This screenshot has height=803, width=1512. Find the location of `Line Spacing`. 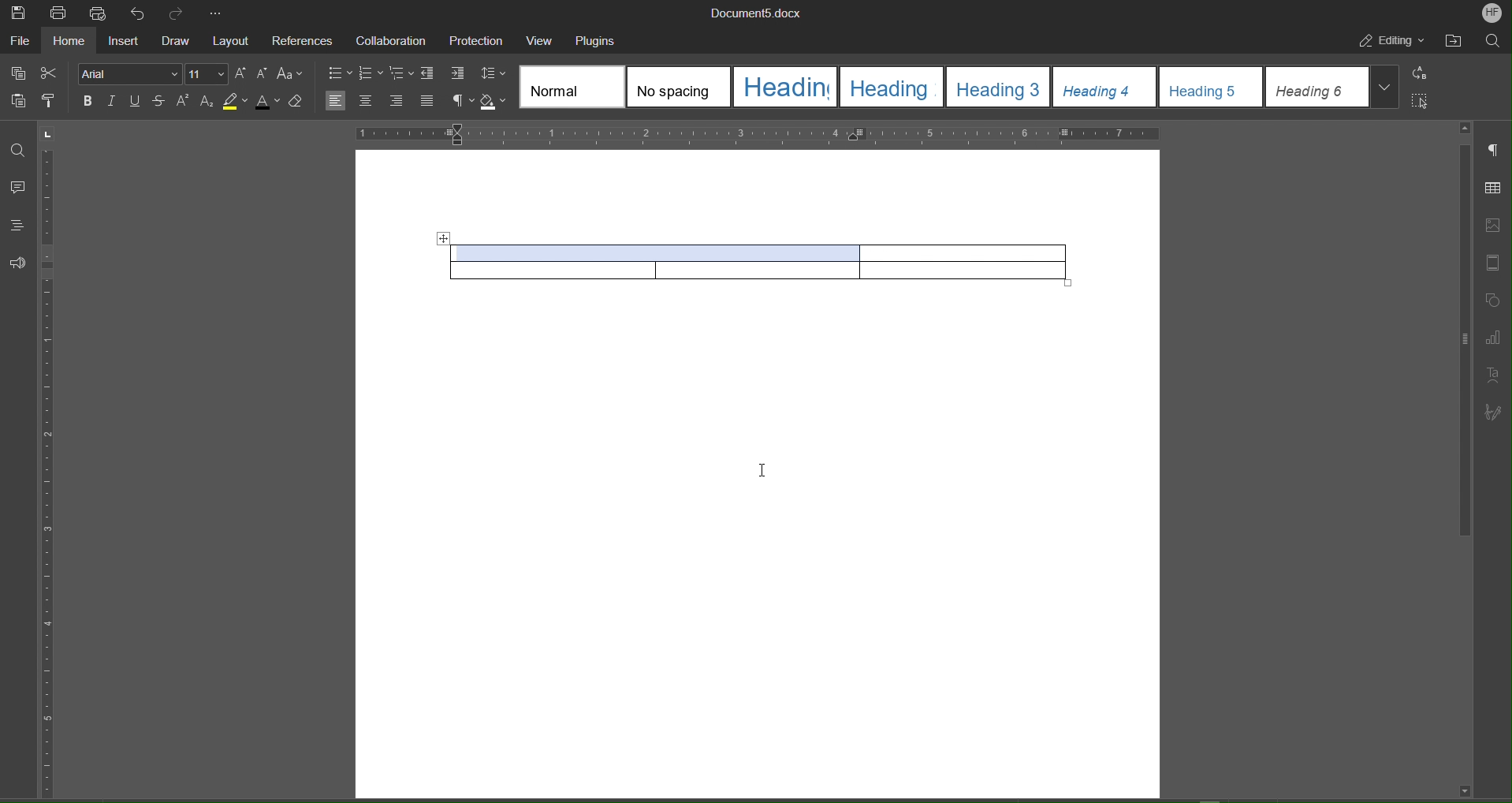

Line Spacing is located at coordinates (493, 74).